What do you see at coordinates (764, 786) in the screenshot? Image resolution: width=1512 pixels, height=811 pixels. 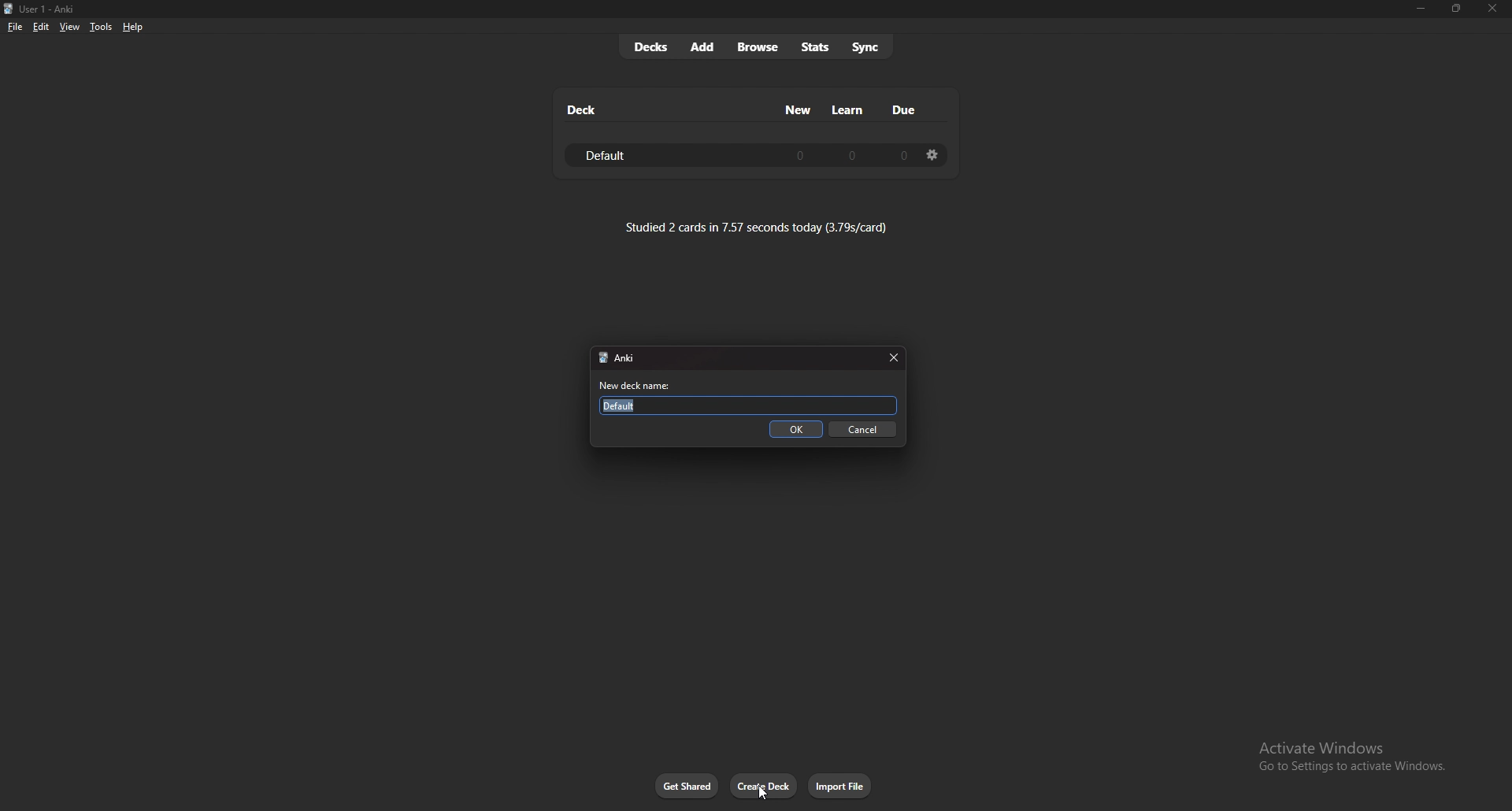 I see `create deck` at bounding box center [764, 786].